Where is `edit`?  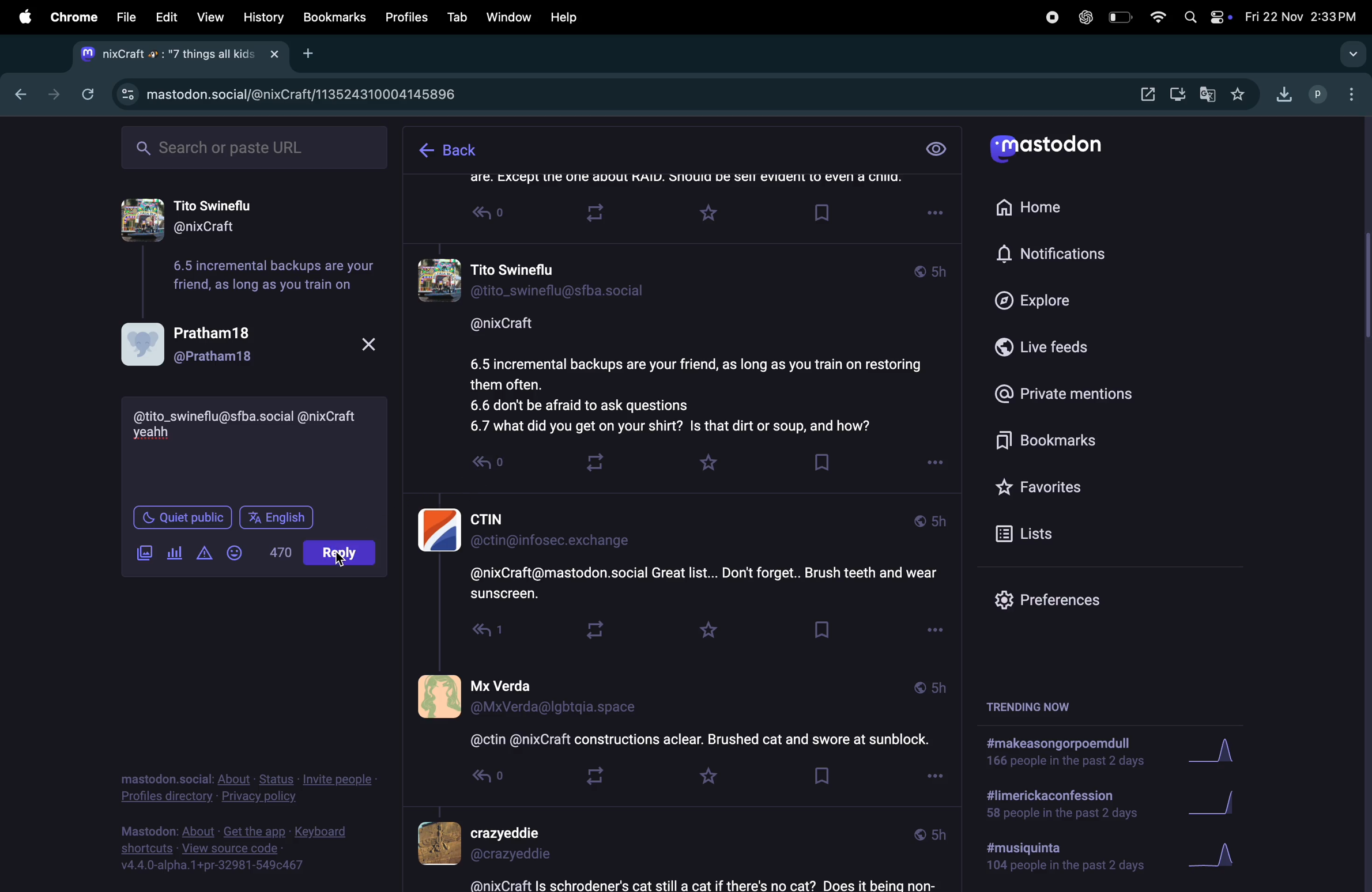 edit is located at coordinates (166, 17).